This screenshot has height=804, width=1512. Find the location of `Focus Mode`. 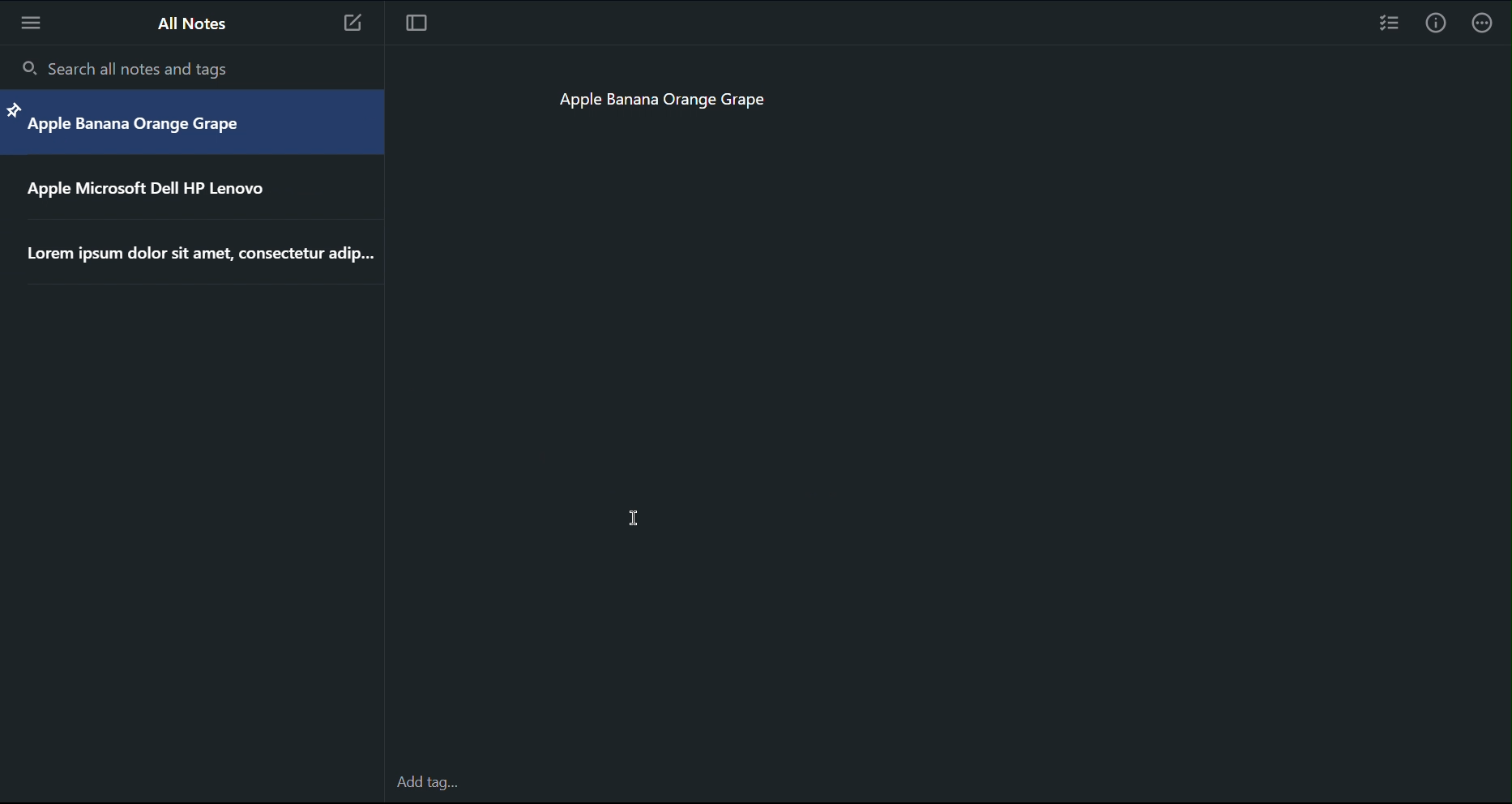

Focus Mode is located at coordinates (421, 24).